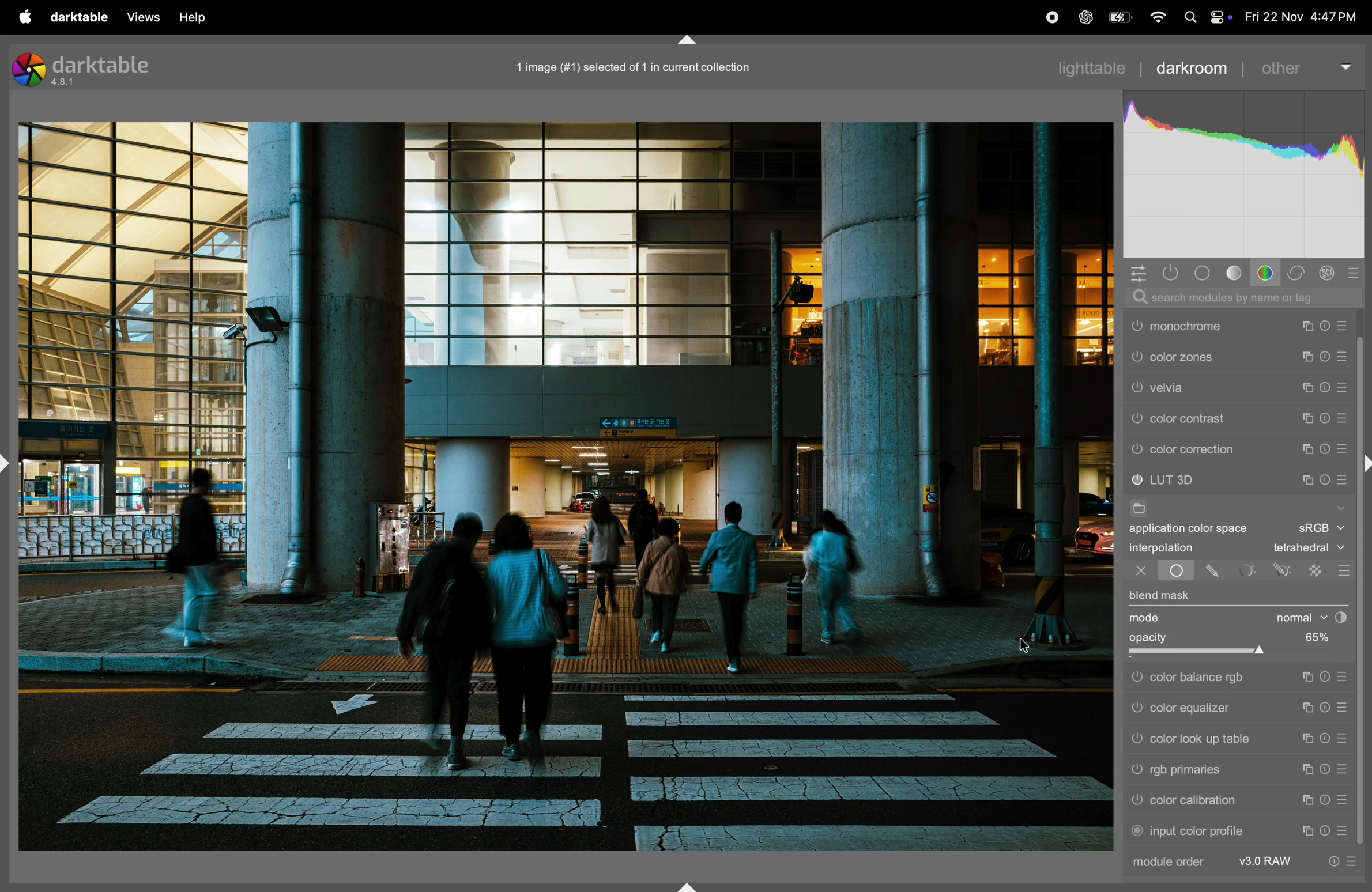 This screenshot has height=892, width=1372. Describe the element at coordinates (1205, 800) in the screenshot. I see `color calibration` at that location.